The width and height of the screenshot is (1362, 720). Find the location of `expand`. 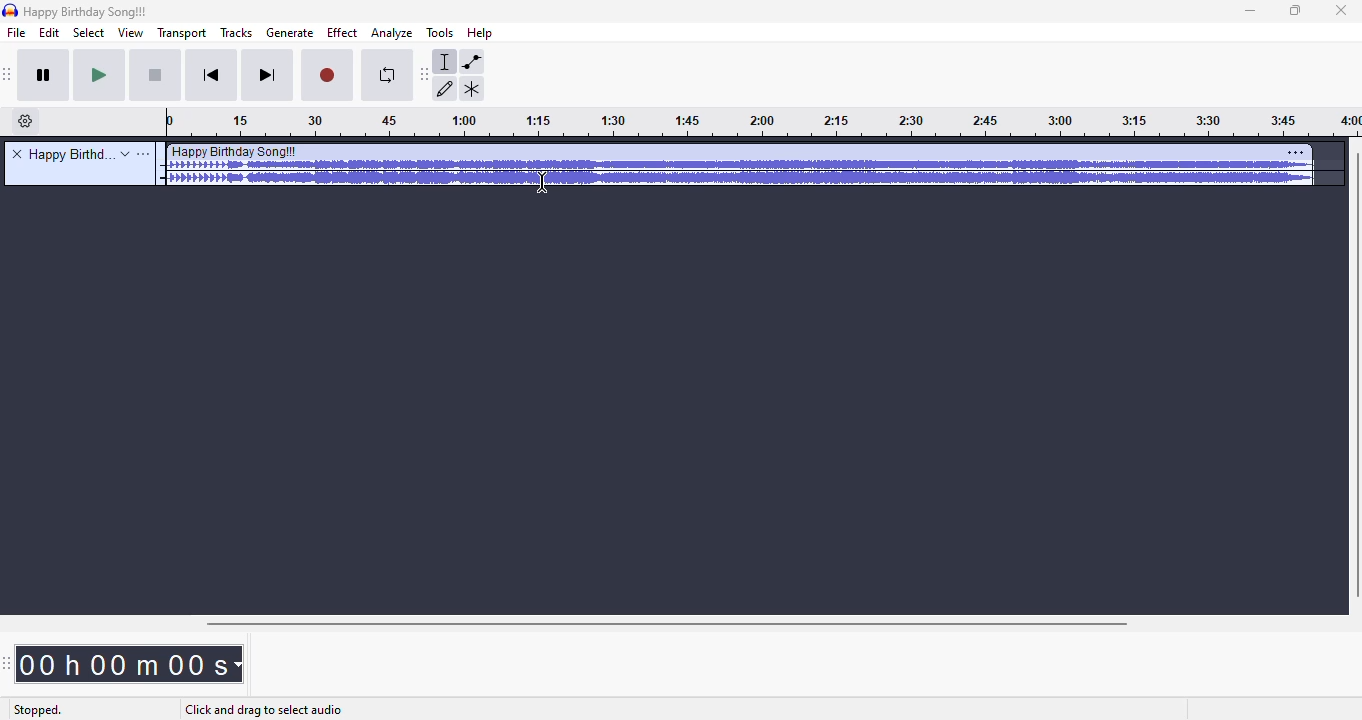

expand is located at coordinates (125, 154).